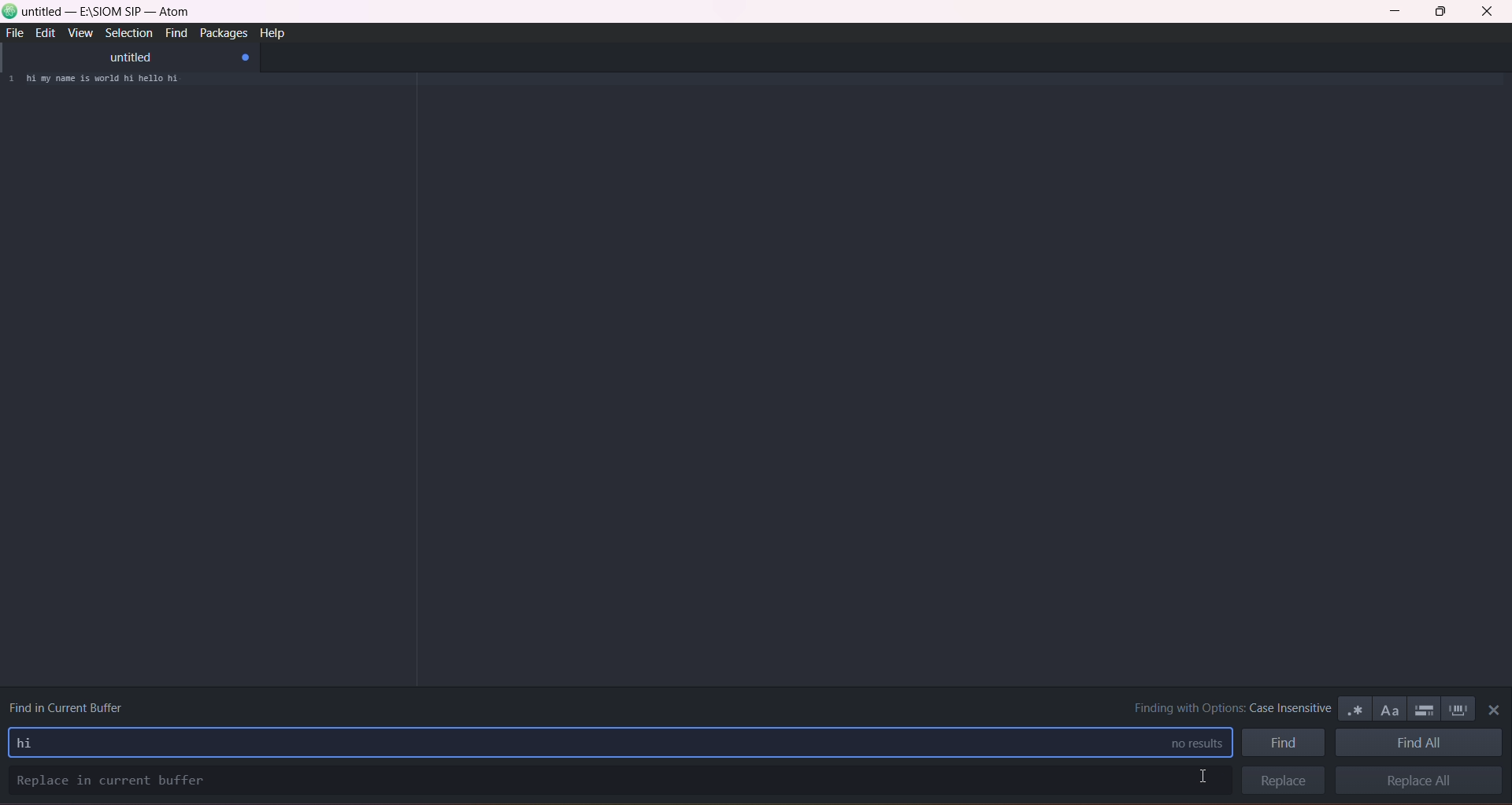 The image size is (1512, 805). What do you see at coordinates (1441, 13) in the screenshot?
I see `maximize` at bounding box center [1441, 13].